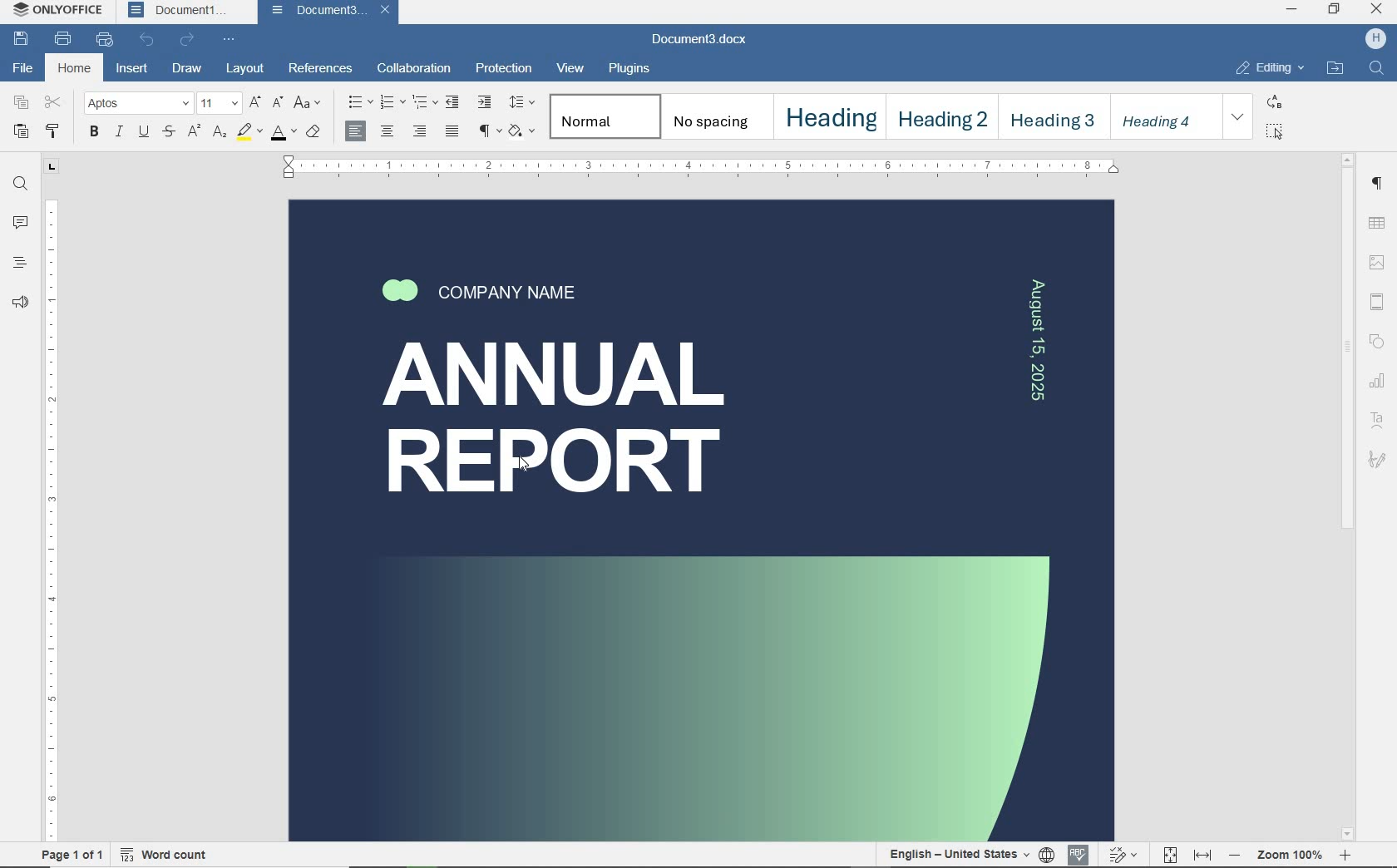  I want to click on nonprinting characters, so click(486, 131).